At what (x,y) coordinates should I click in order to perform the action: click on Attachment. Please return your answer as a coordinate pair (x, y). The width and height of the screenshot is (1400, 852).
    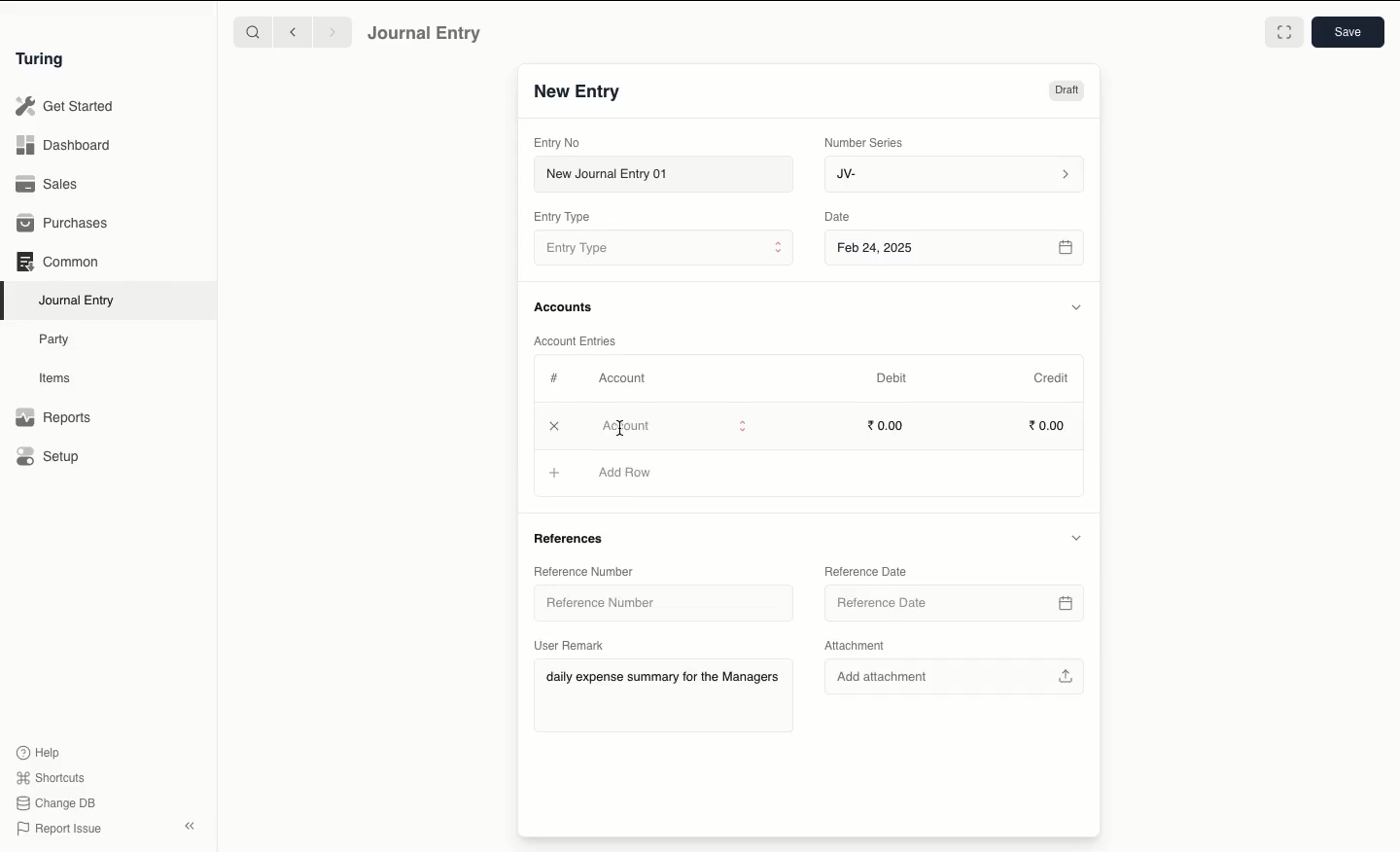
    Looking at the image, I should click on (858, 644).